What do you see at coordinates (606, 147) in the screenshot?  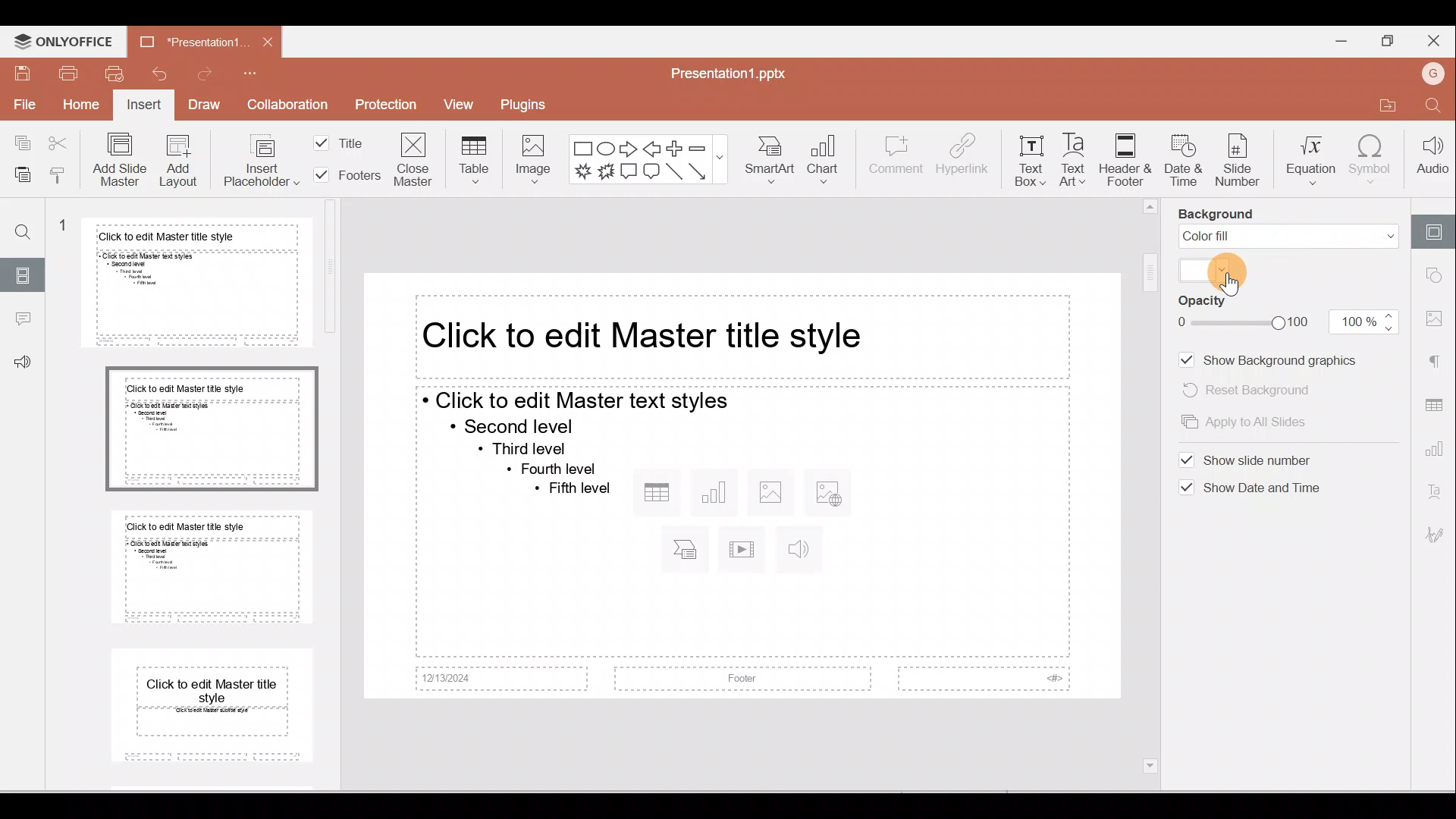 I see `Ellipse` at bounding box center [606, 147].